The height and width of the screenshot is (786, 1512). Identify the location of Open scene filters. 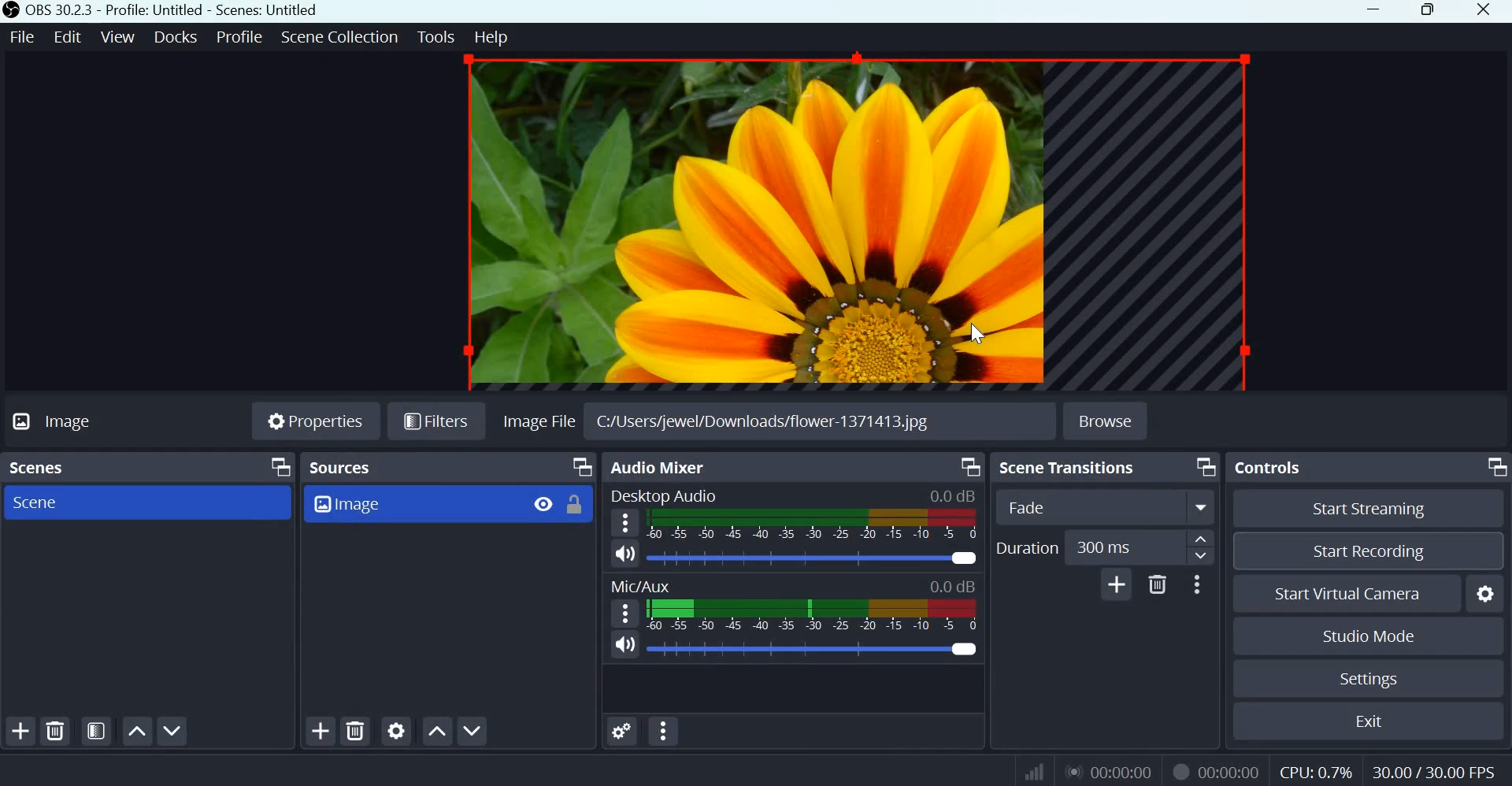
(96, 731).